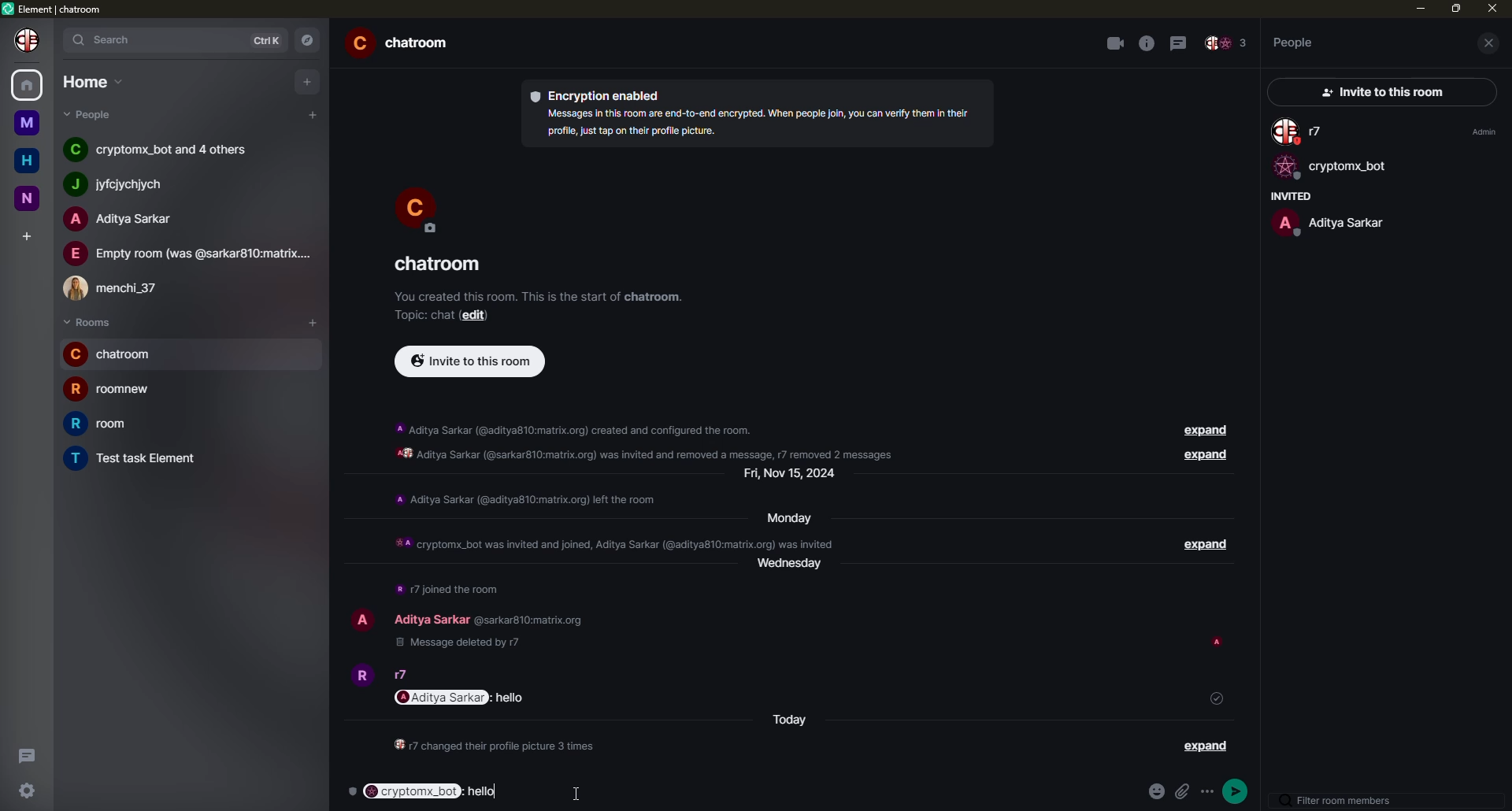  What do you see at coordinates (189, 254) in the screenshot?
I see `people` at bounding box center [189, 254].